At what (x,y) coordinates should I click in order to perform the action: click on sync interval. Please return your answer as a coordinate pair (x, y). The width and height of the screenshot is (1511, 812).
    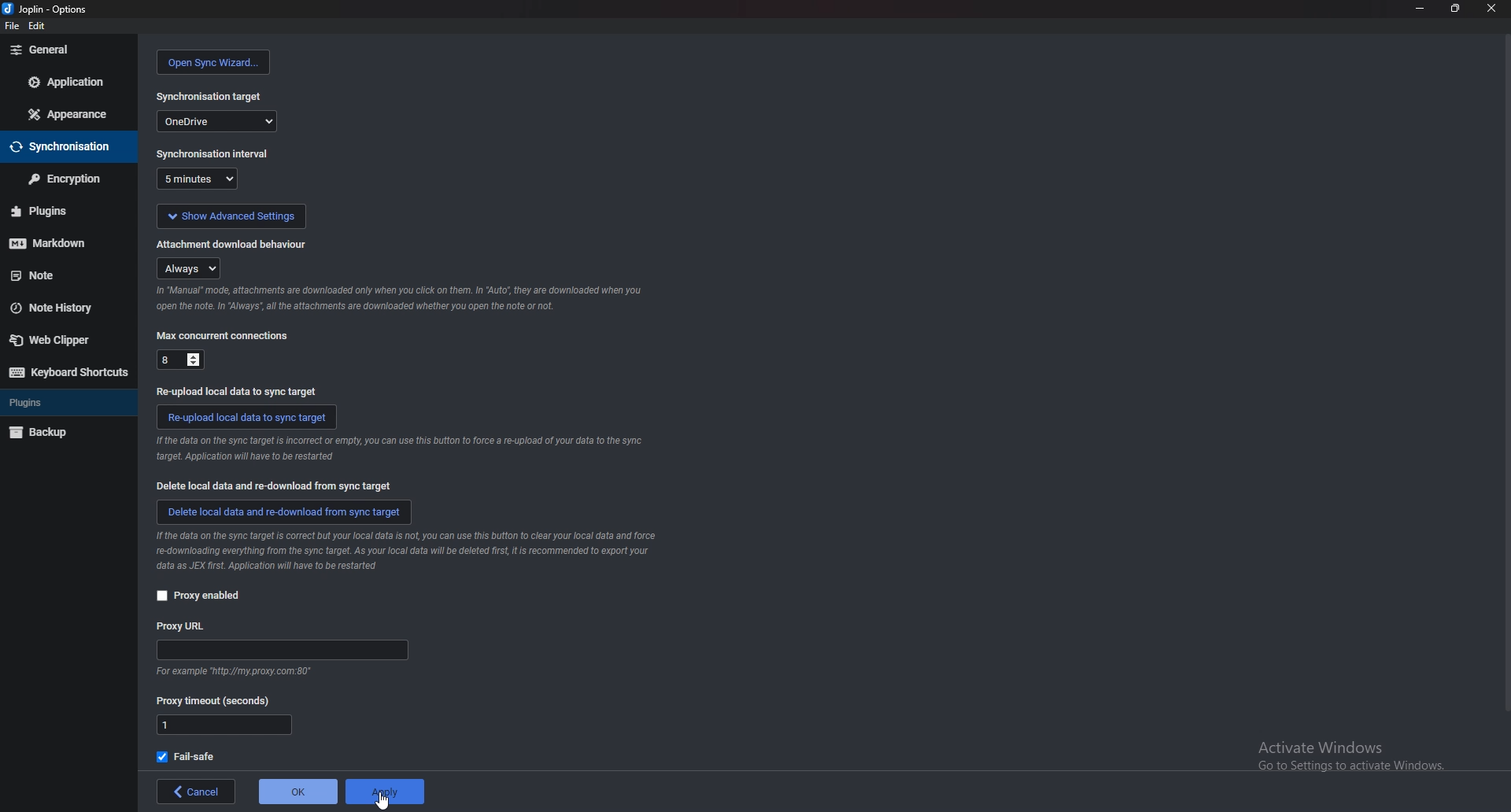
    Looking at the image, I should click on (212, 153).